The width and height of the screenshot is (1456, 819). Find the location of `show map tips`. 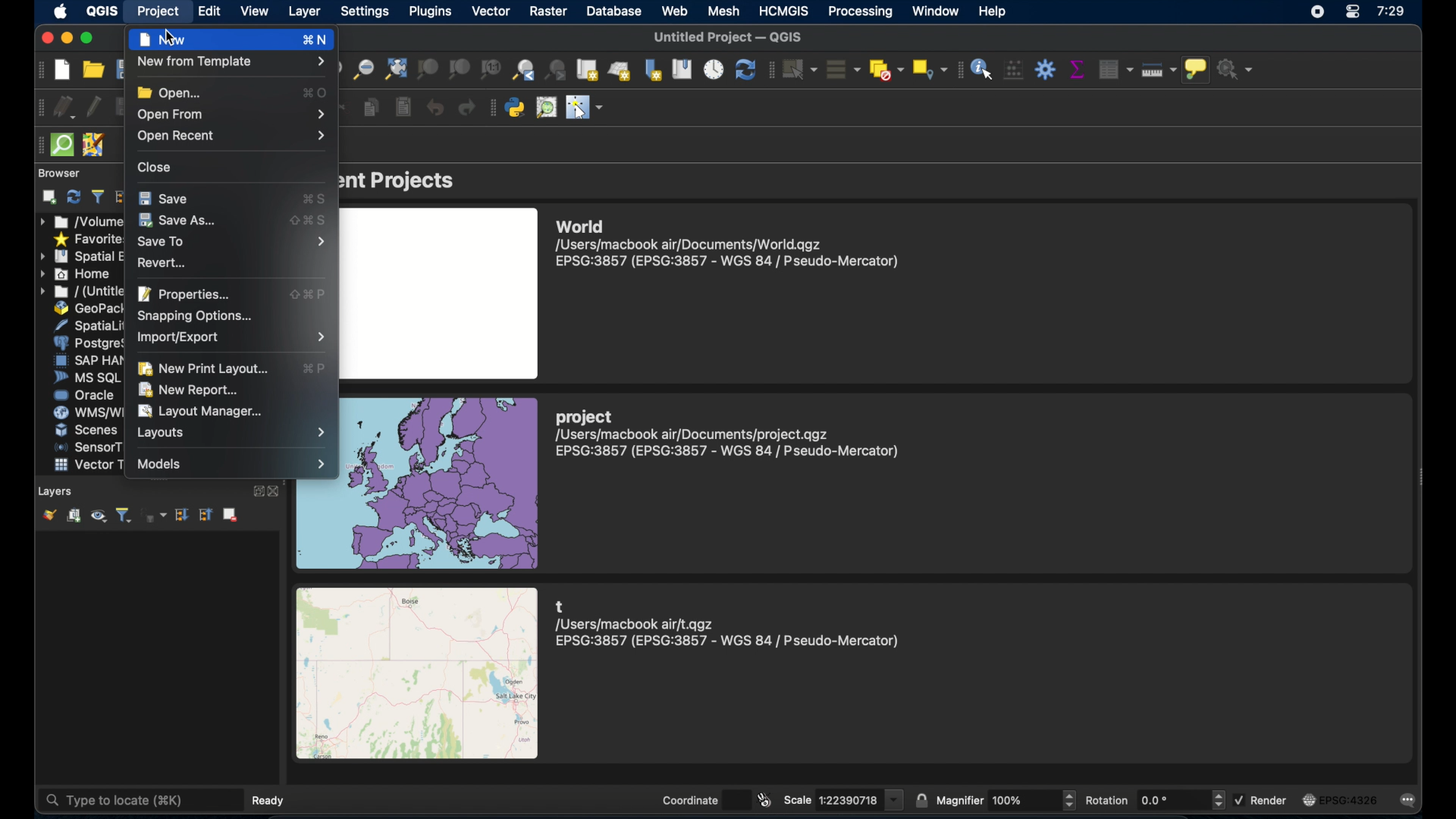

show map tips is located at coordinates (1197, 70).